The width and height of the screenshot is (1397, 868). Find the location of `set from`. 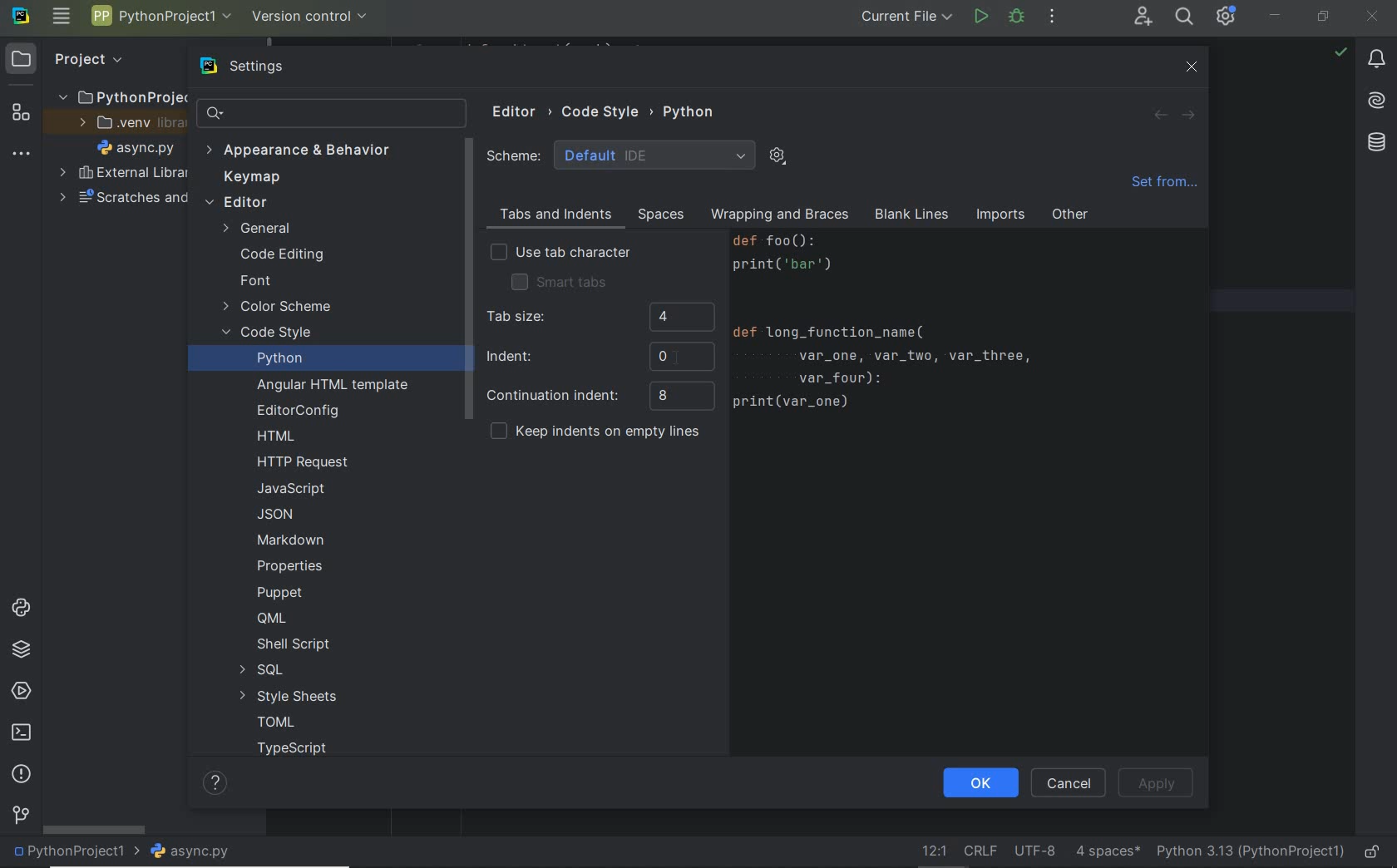

set from is located at coordinates (1163, 186).